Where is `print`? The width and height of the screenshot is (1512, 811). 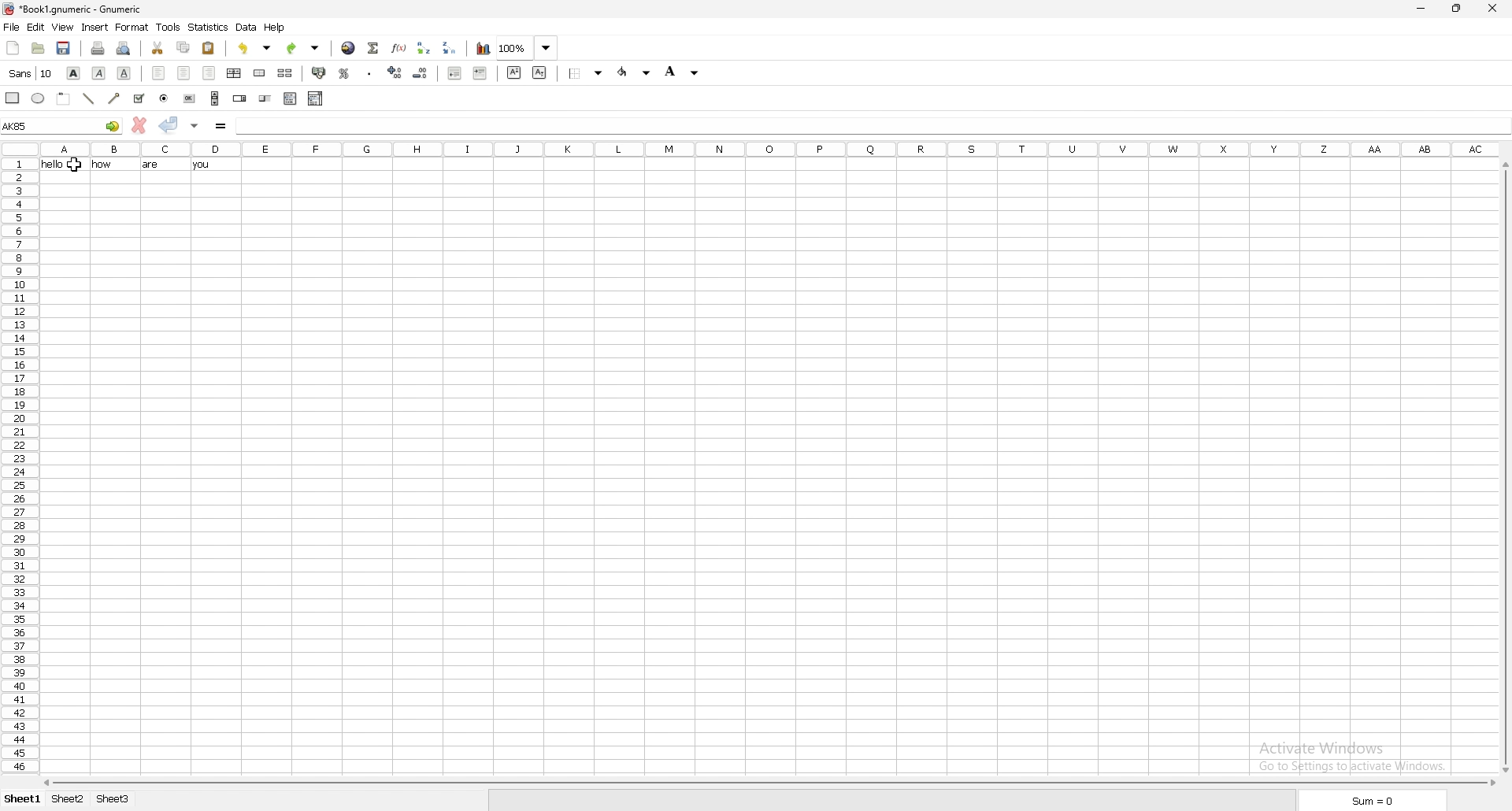
print is located at coordinates (100, 47).